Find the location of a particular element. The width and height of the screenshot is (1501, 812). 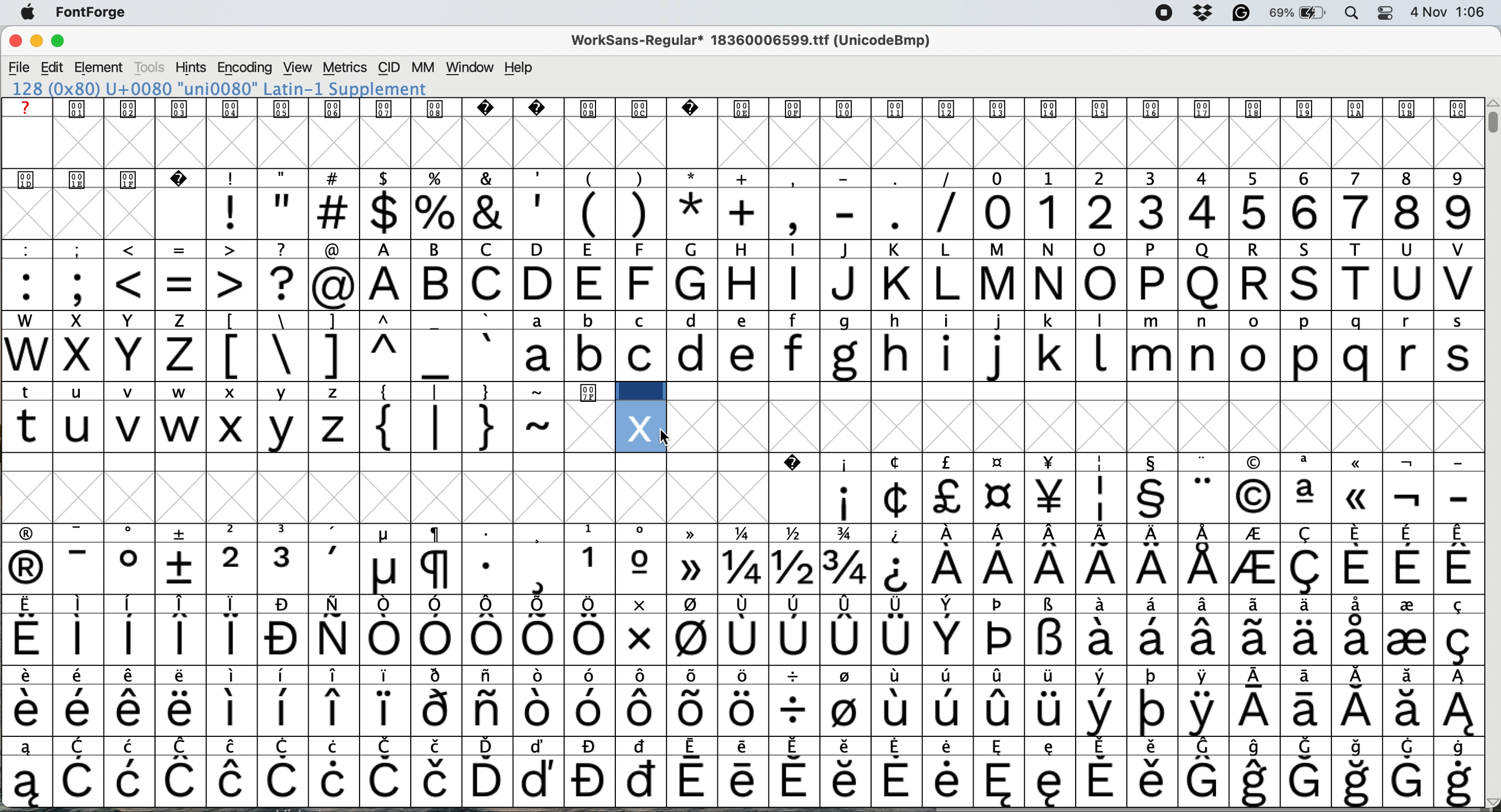

special characters is located at coordinates (180, 284).